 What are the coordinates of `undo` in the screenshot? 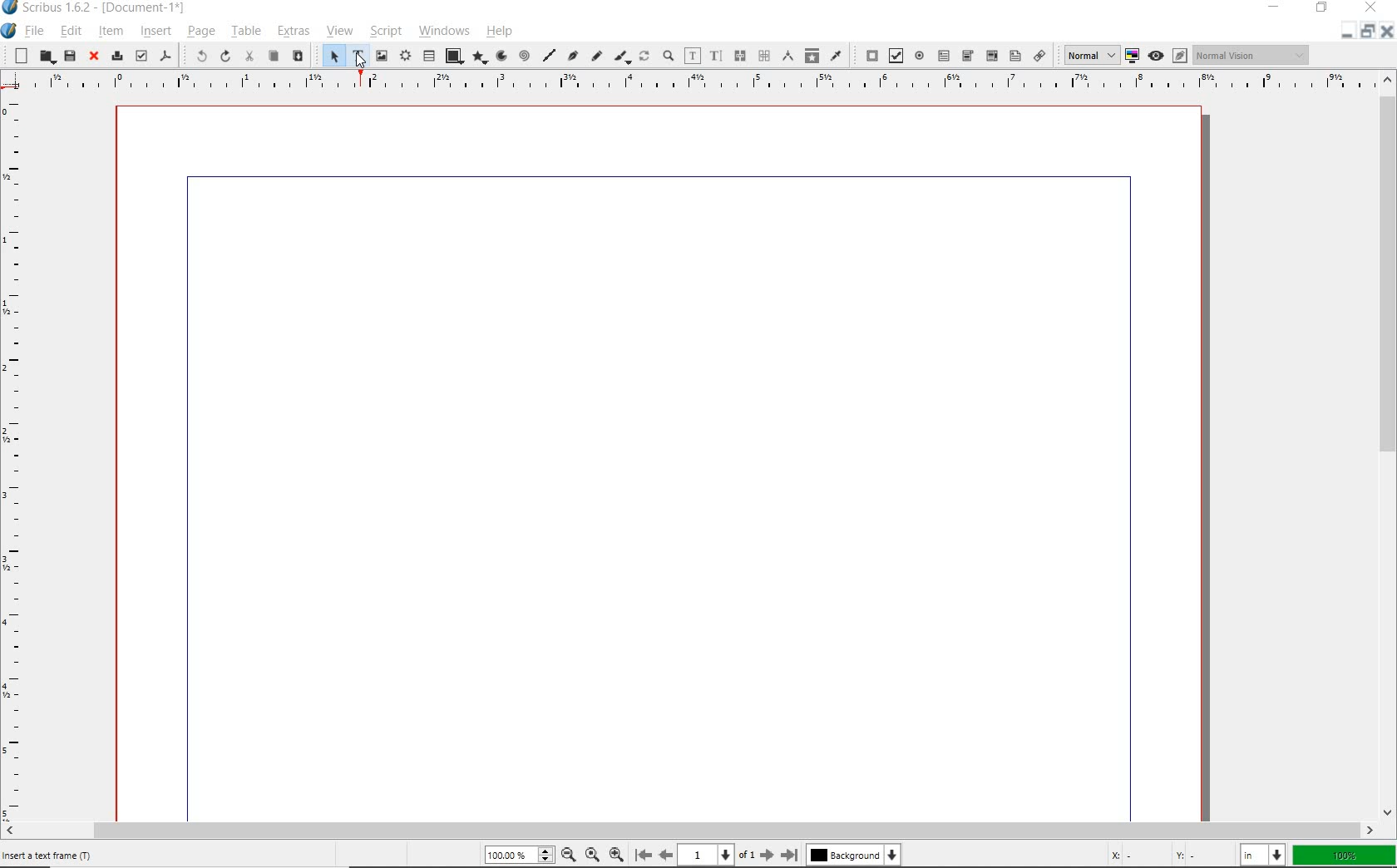 It's located at (196, 55).